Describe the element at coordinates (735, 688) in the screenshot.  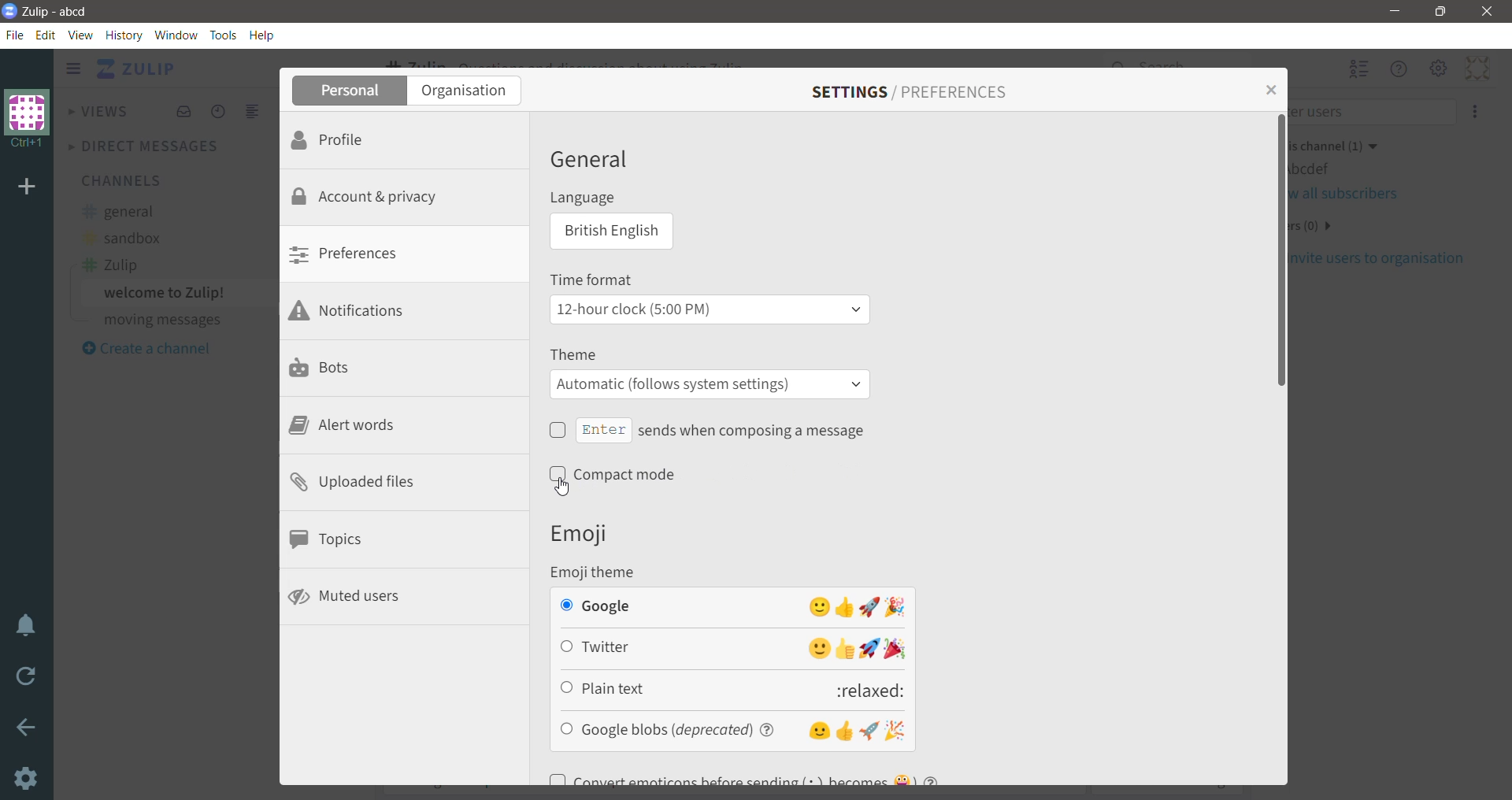
I see `Plain text` at that location.